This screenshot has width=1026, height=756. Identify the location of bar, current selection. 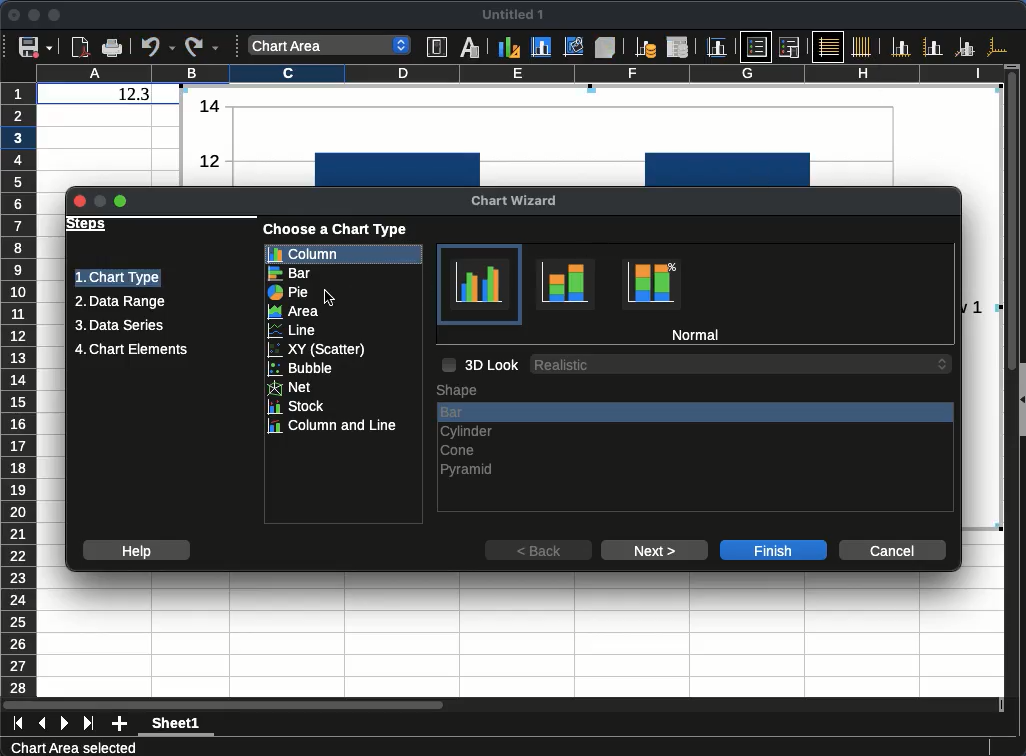
(696, 412).